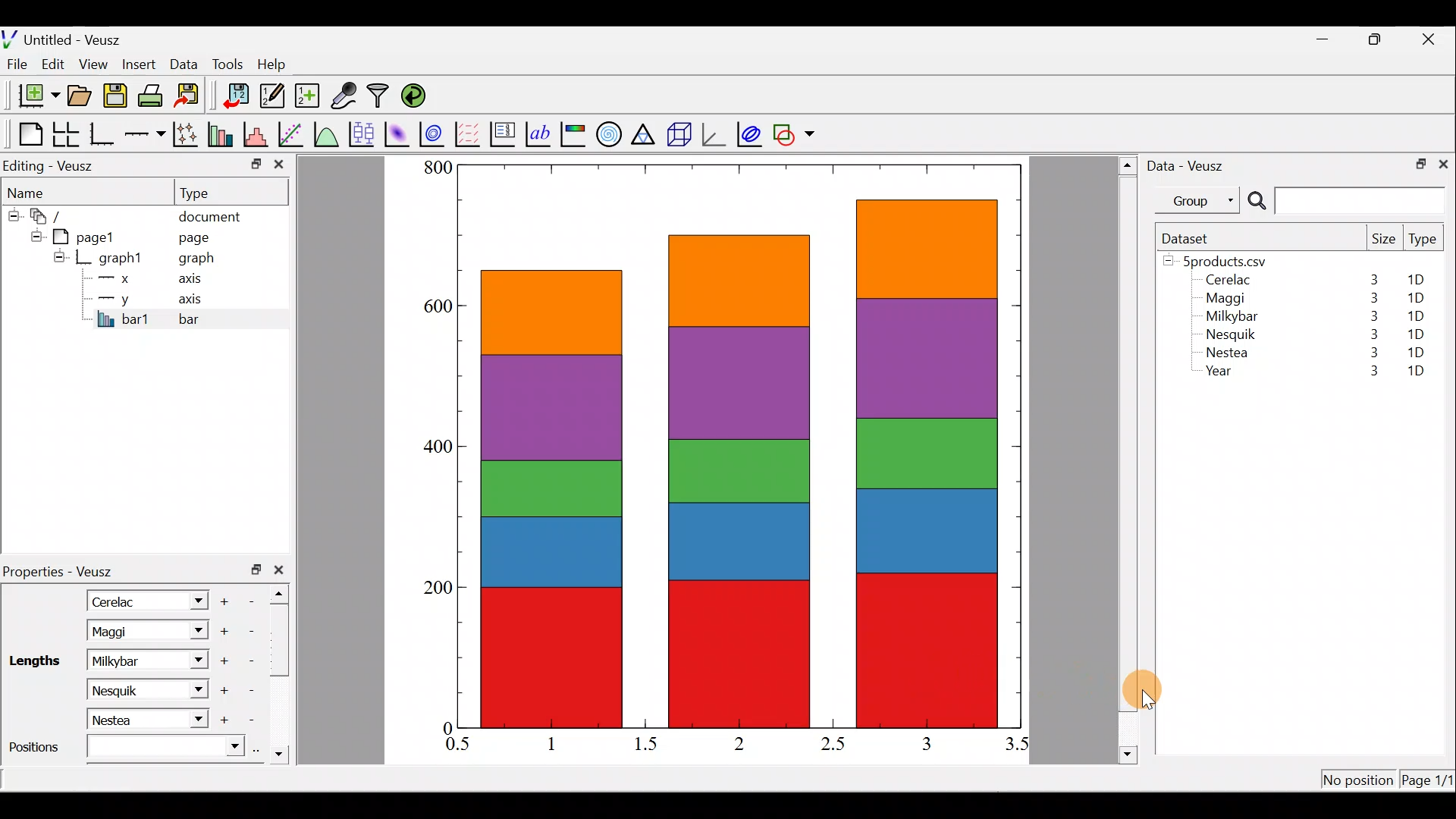 The image size is (1456, 819). I want to click on Reload linked datasets, so click(417, 95).